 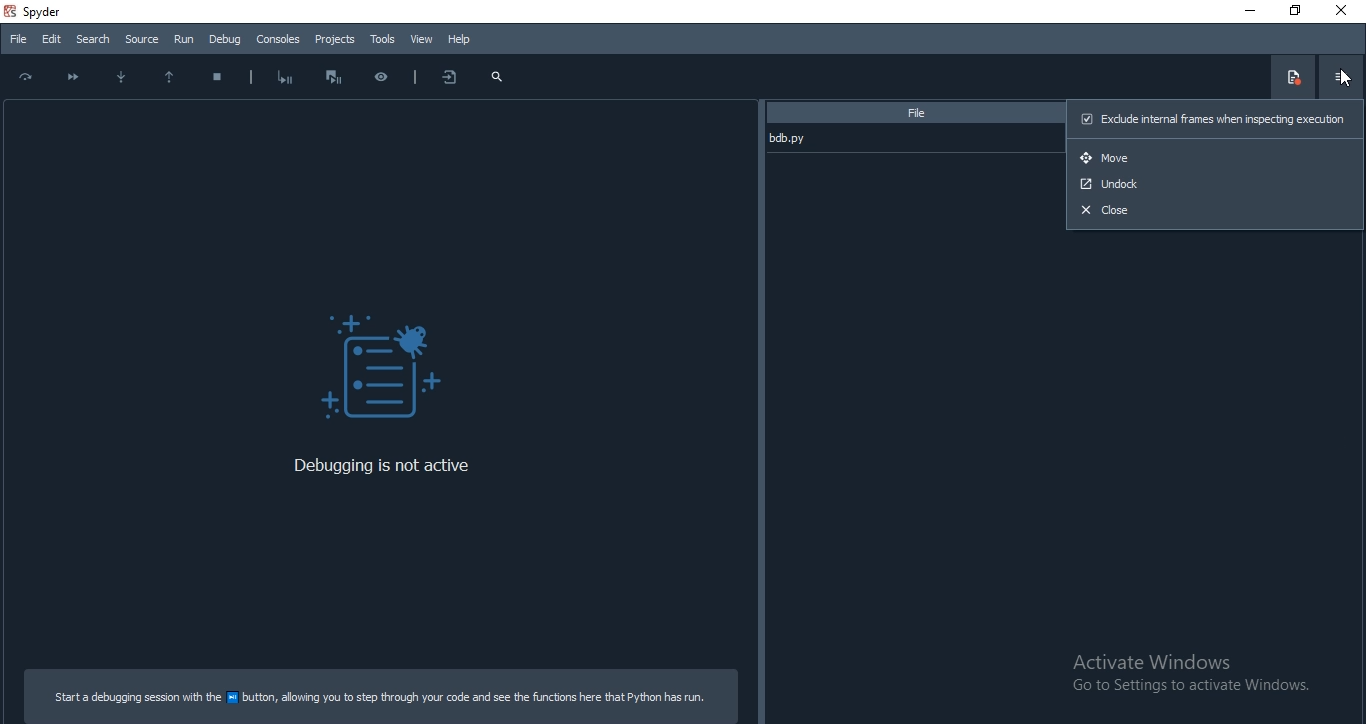 I want to click on Debug, so click(x=227, y=38).